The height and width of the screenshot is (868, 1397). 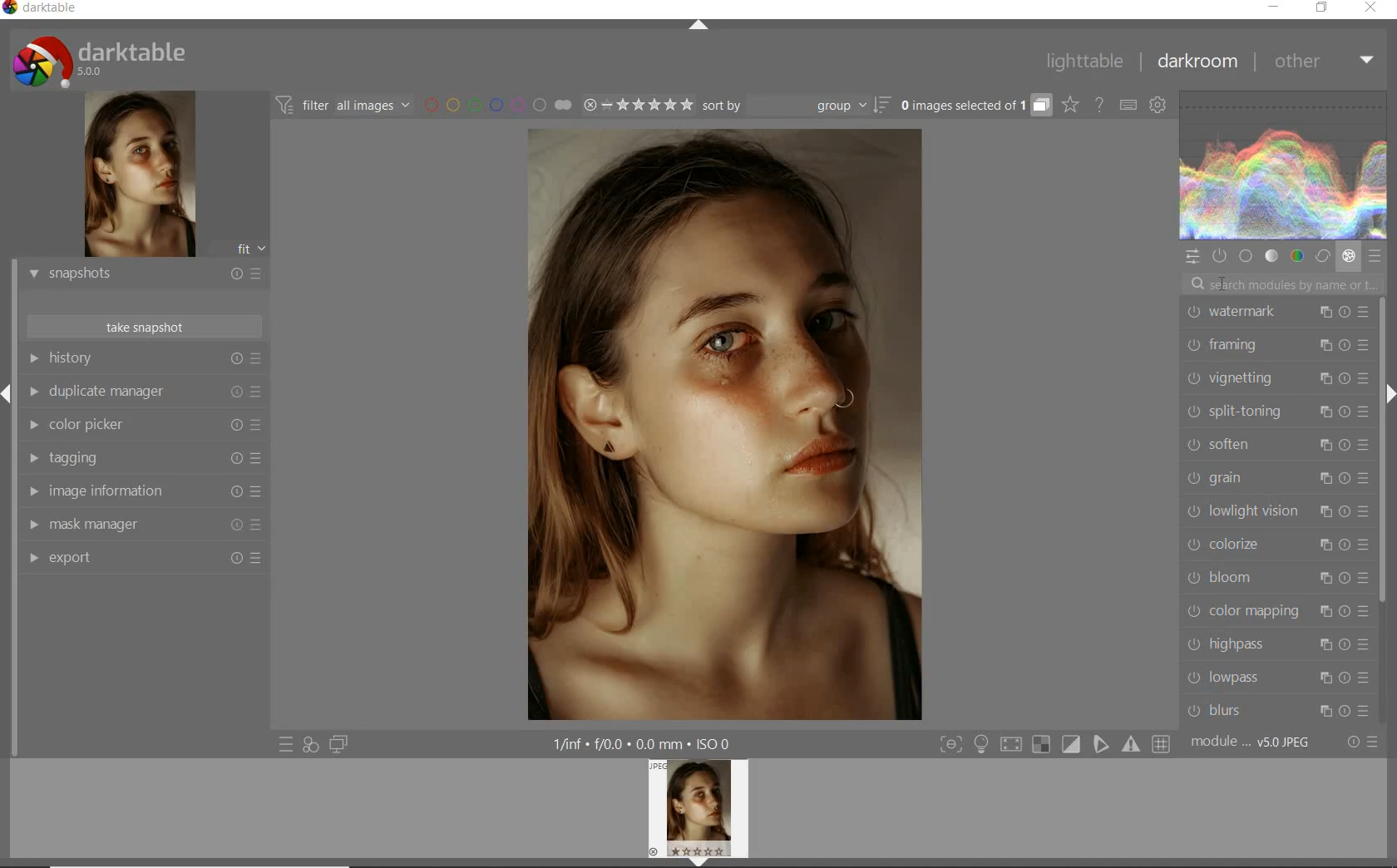 I want to click on set keyboard shortcuts, so click(x=1127, y=106).